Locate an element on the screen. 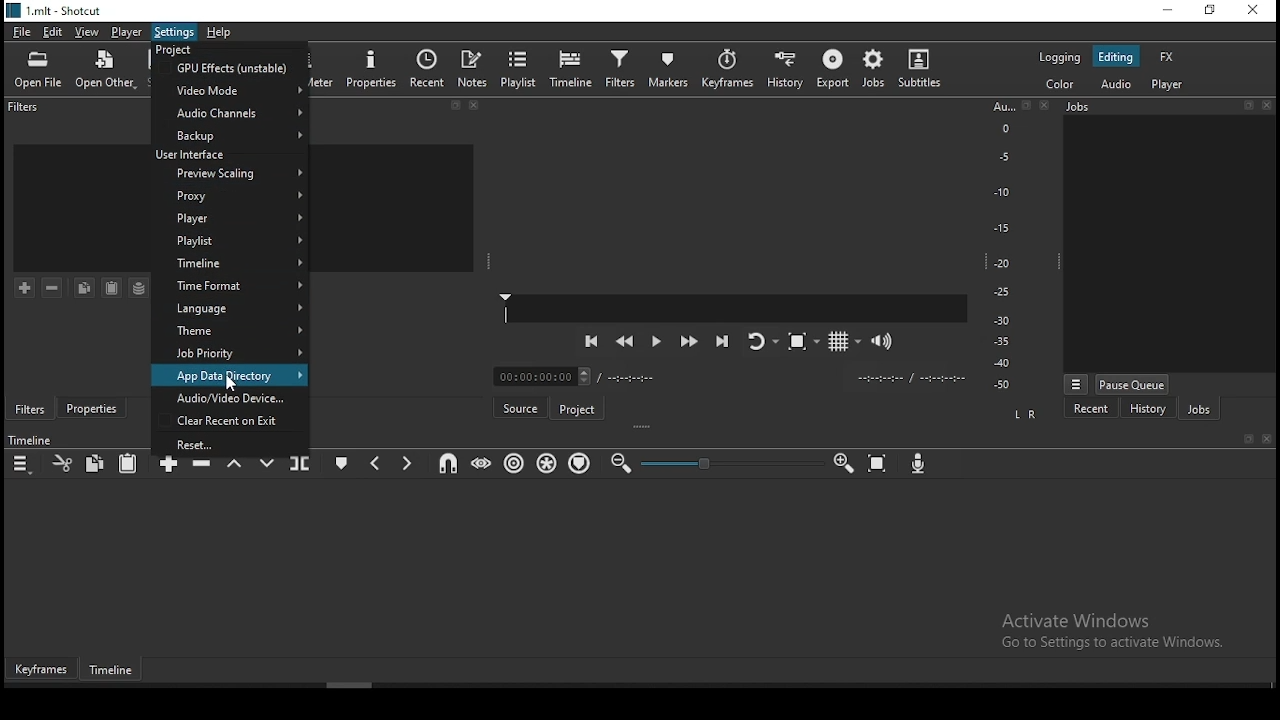  logging is located at coordinates (1058, 57).